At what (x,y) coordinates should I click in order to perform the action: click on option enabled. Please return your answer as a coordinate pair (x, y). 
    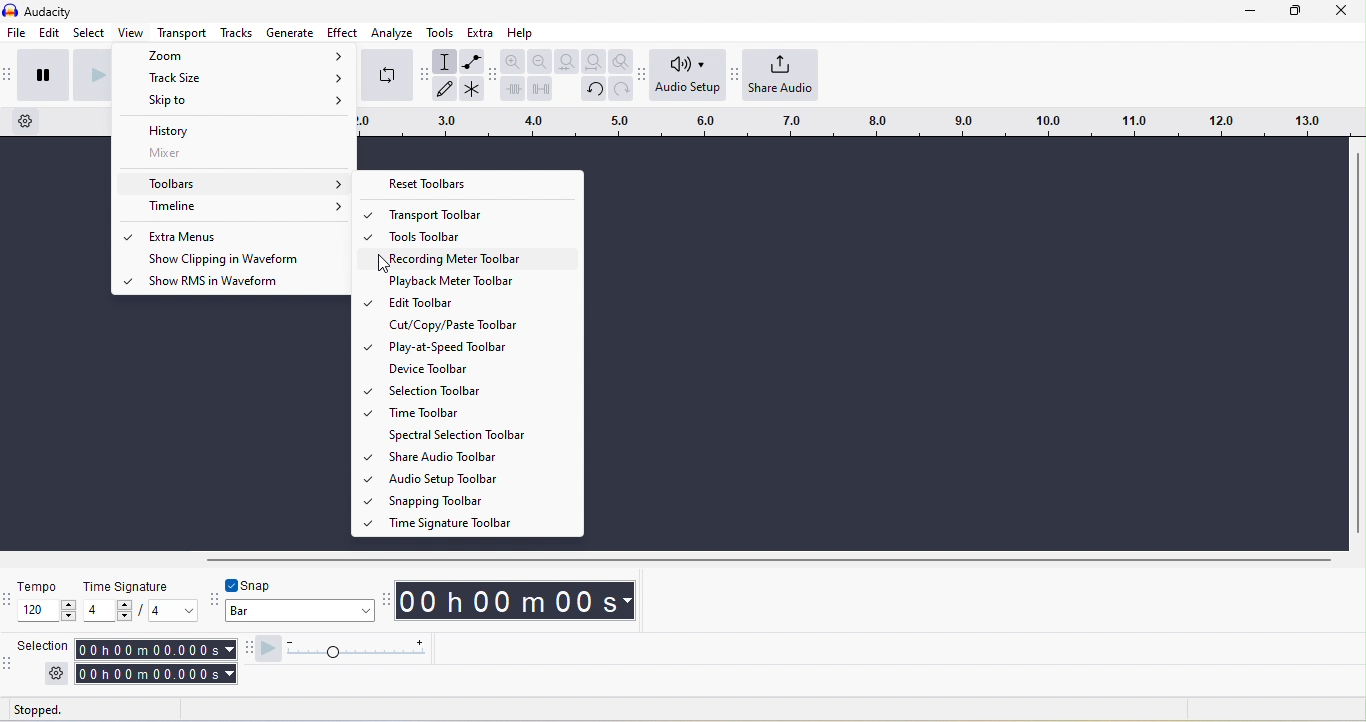
    Looking at the image, I should click on (128, 238).